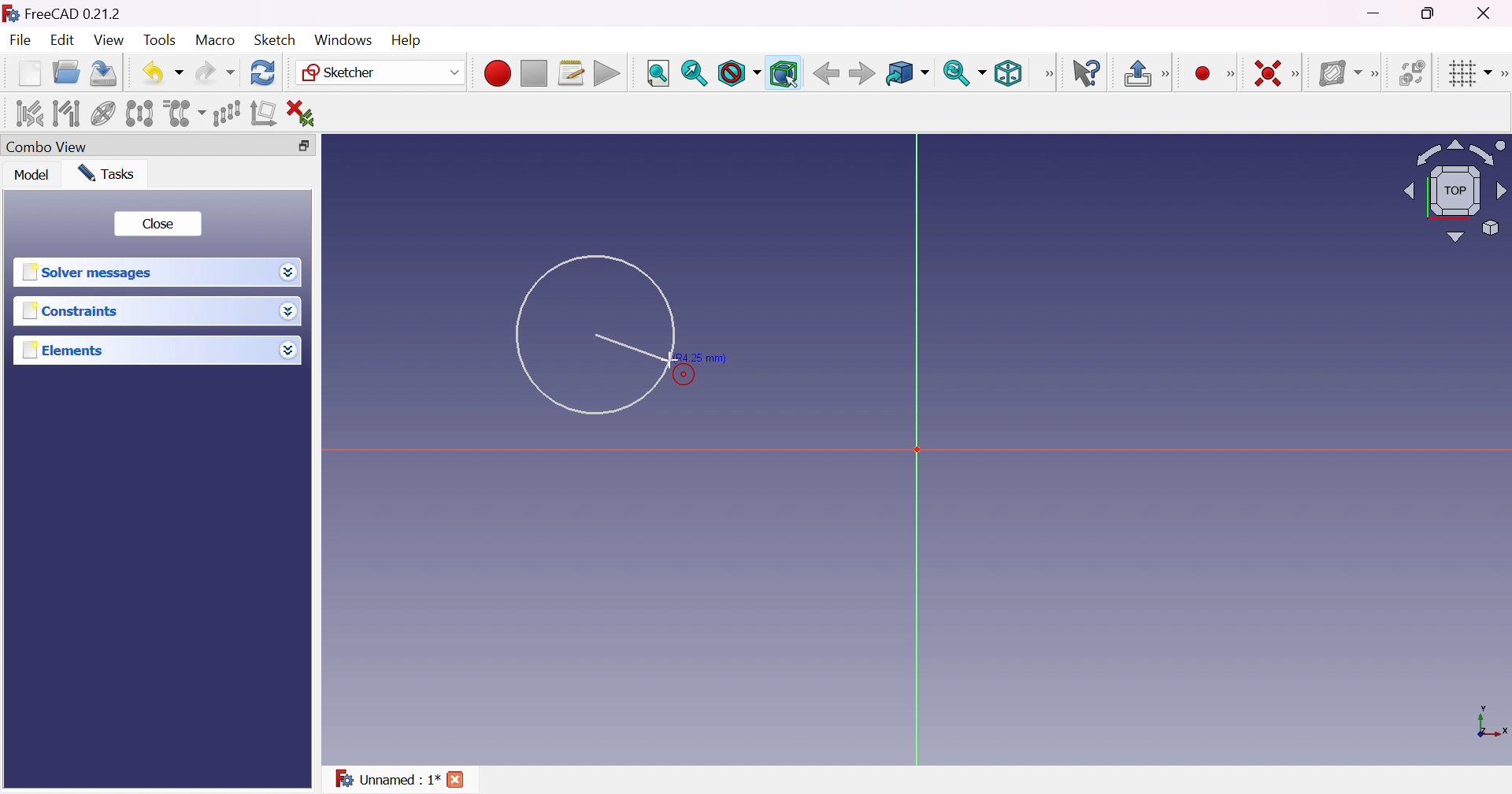 The height and width of the screenshot is (794, 1512). Describe the element at coordinates (291, 311) in the screenshot. I see `Drop down` at that location.